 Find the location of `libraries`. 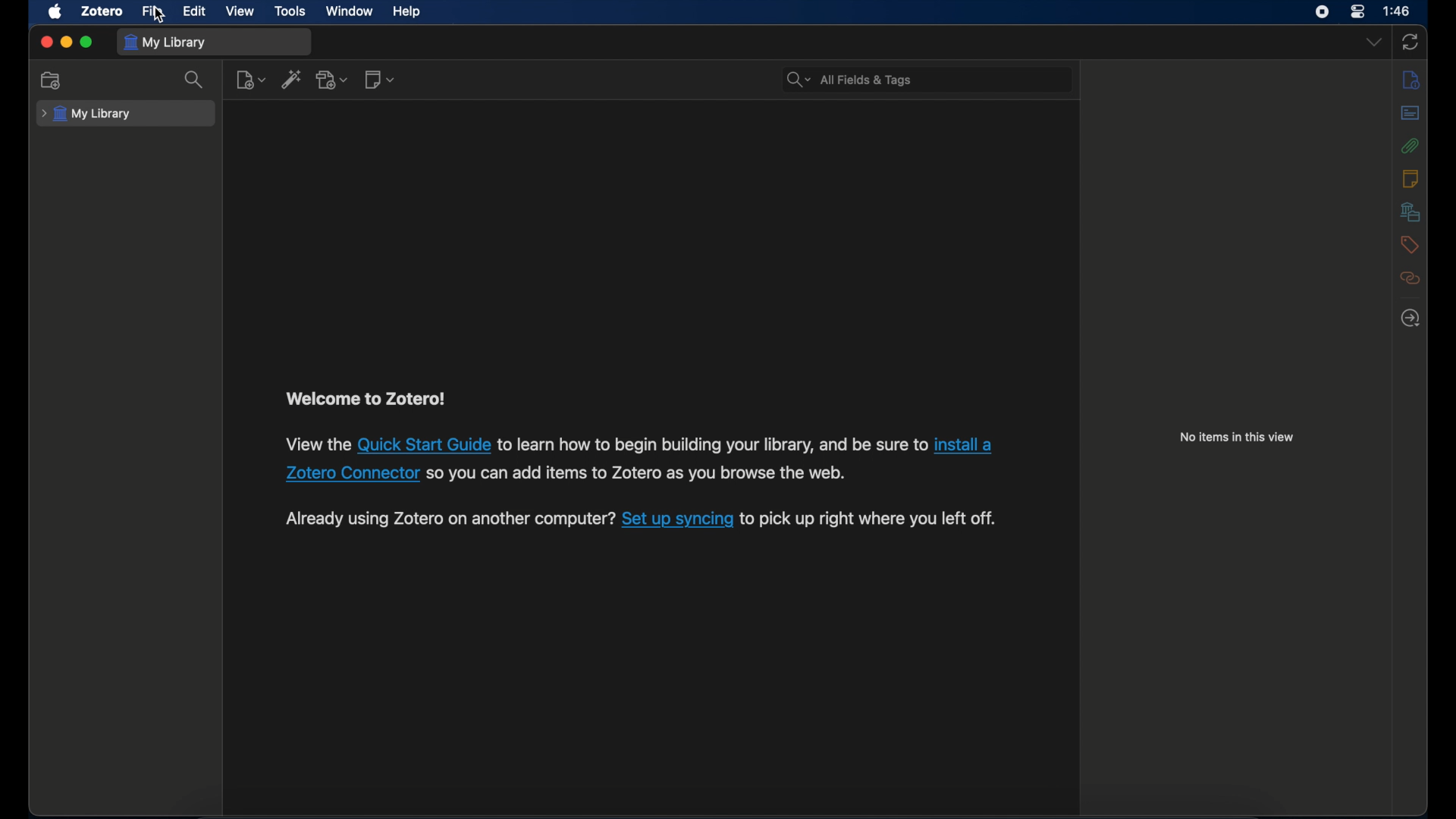

libraries is located at coordinates (1411, 212).